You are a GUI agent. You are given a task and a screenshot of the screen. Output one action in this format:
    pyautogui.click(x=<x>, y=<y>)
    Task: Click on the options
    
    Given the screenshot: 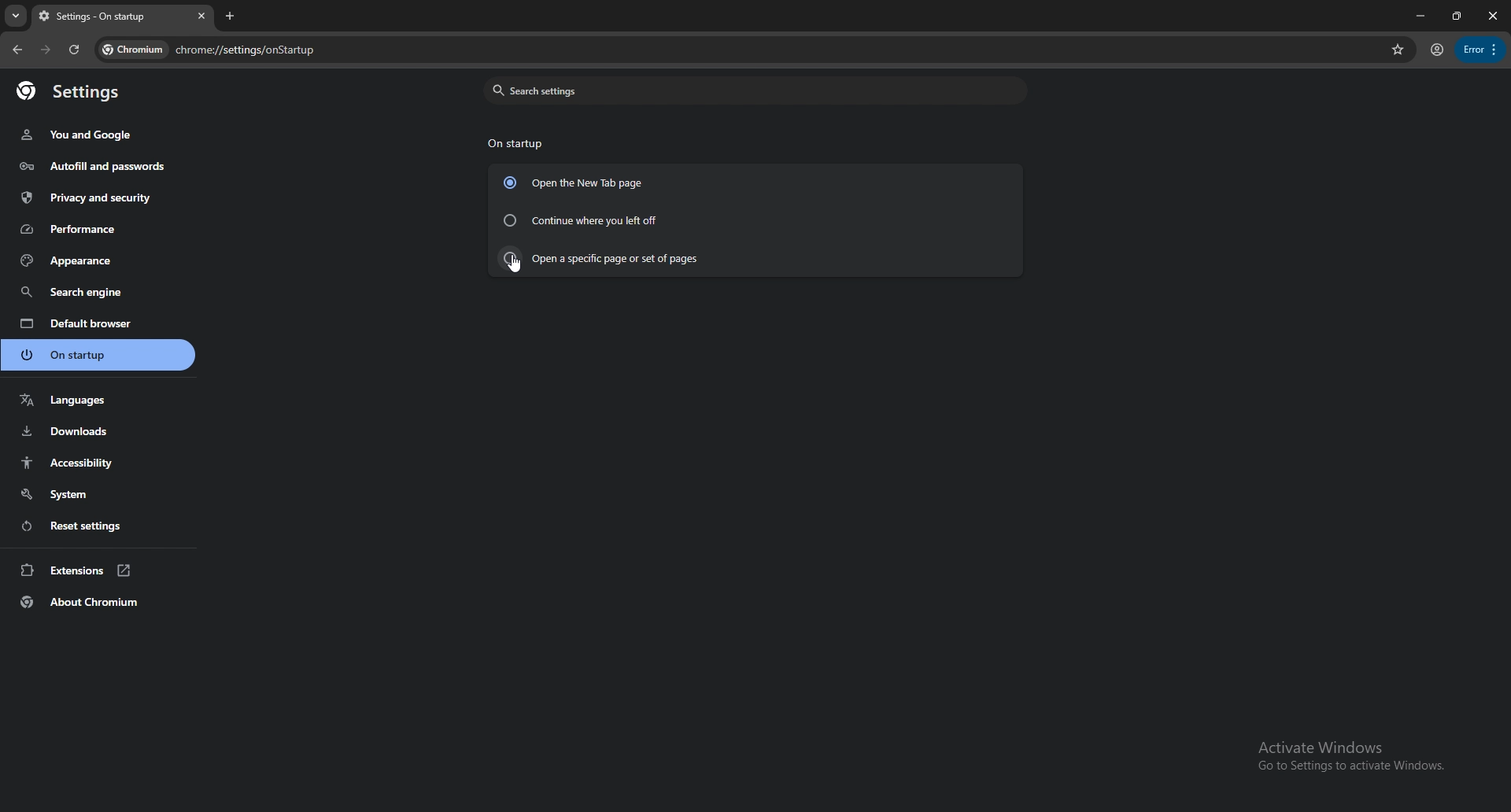 What is the action you would take?
    pyautogui.click(x=1480, y=50)
    